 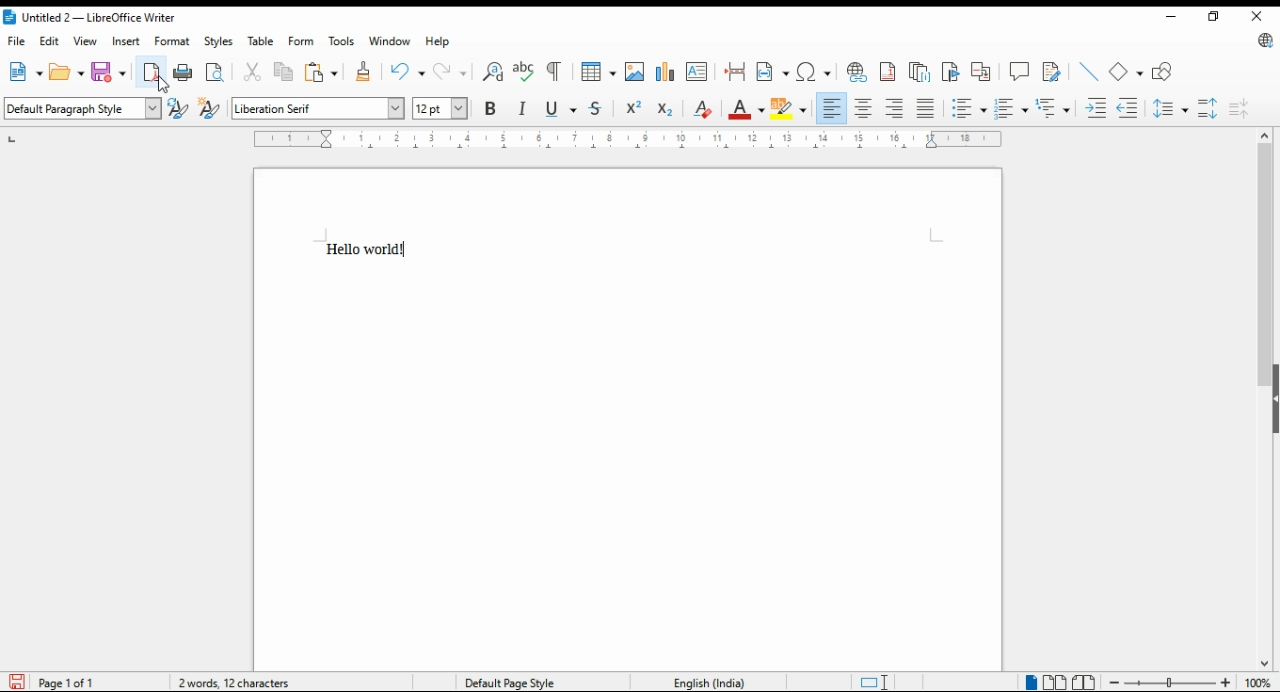 I want to click on copy, so click(x=282, y=73).